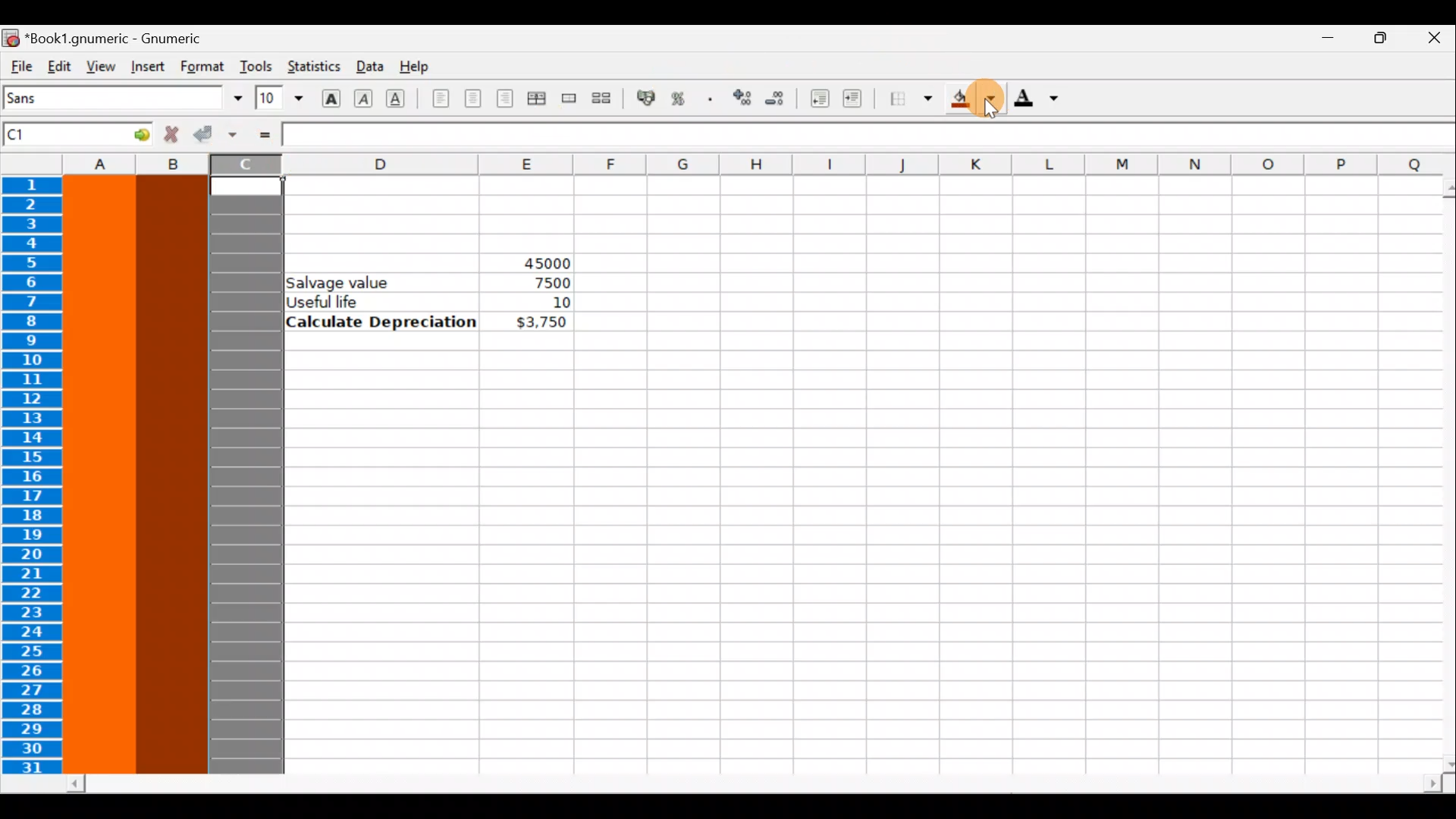  What do you see at coordinates (147, 67) in the screenshot?
I see `Insert` at bounding box center [147, 67].